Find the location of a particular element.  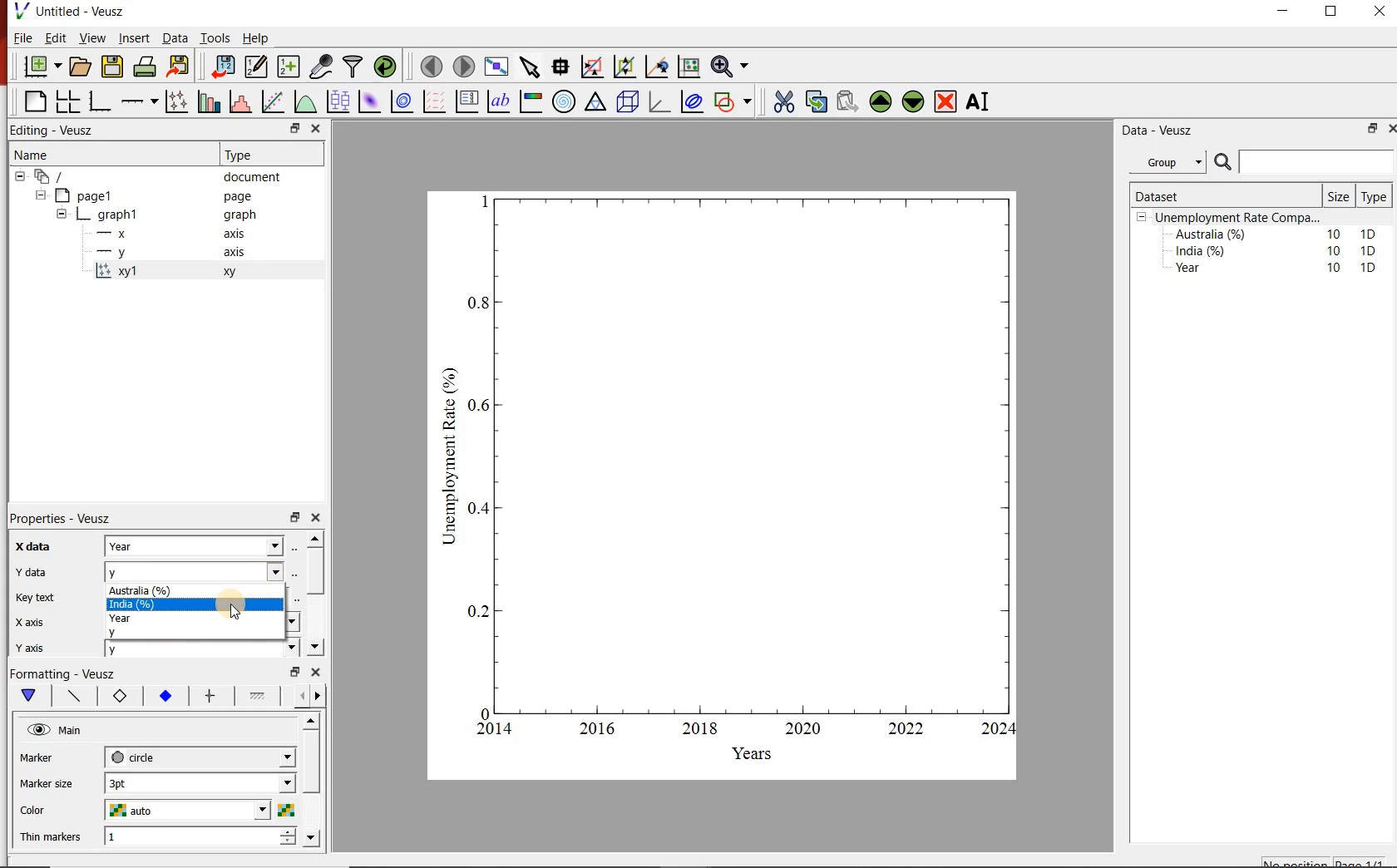

color is located at coordinates (46, 811).